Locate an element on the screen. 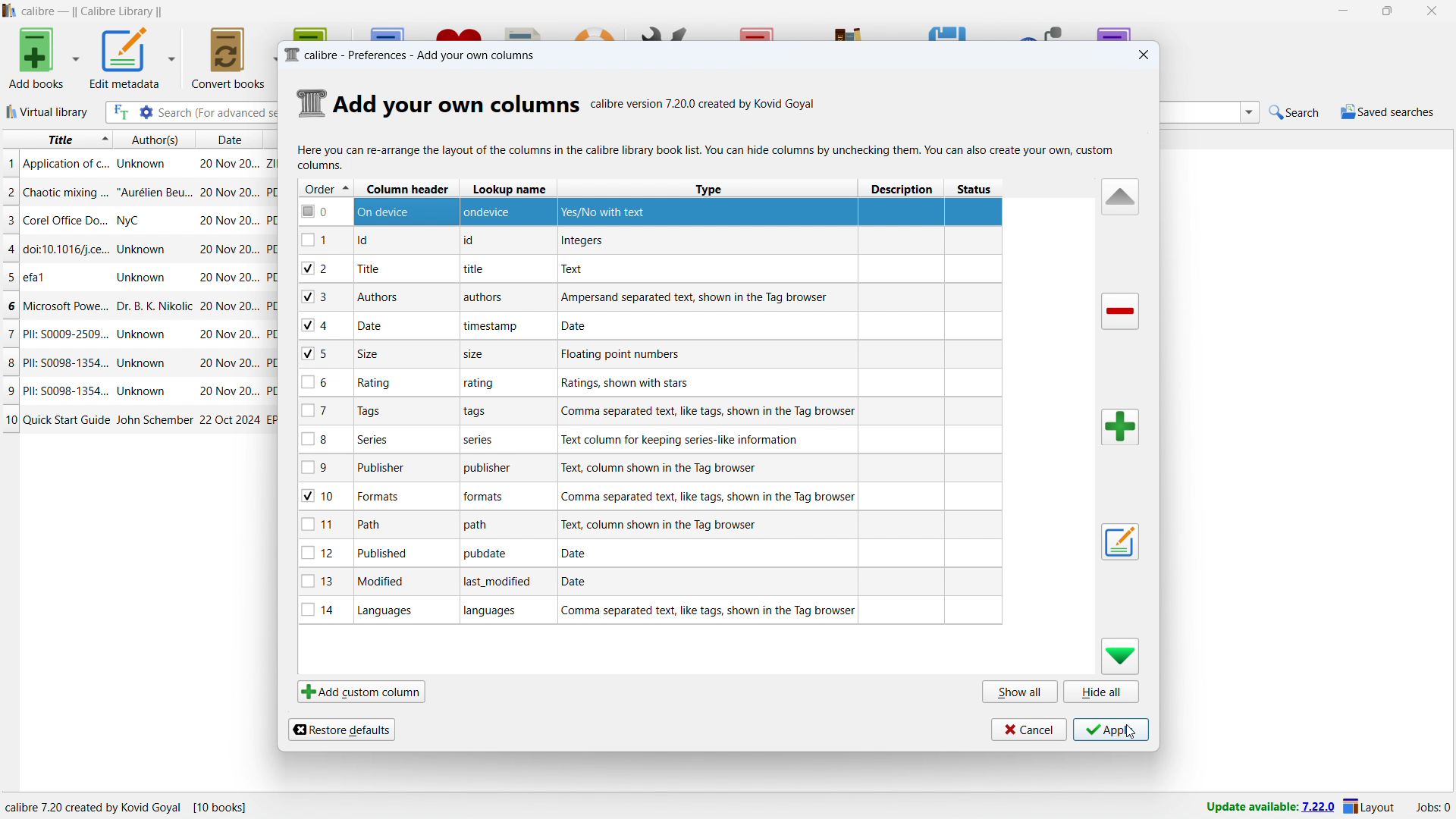 The image size is (1456, 819). 12 is located at coordinates (324, 552).